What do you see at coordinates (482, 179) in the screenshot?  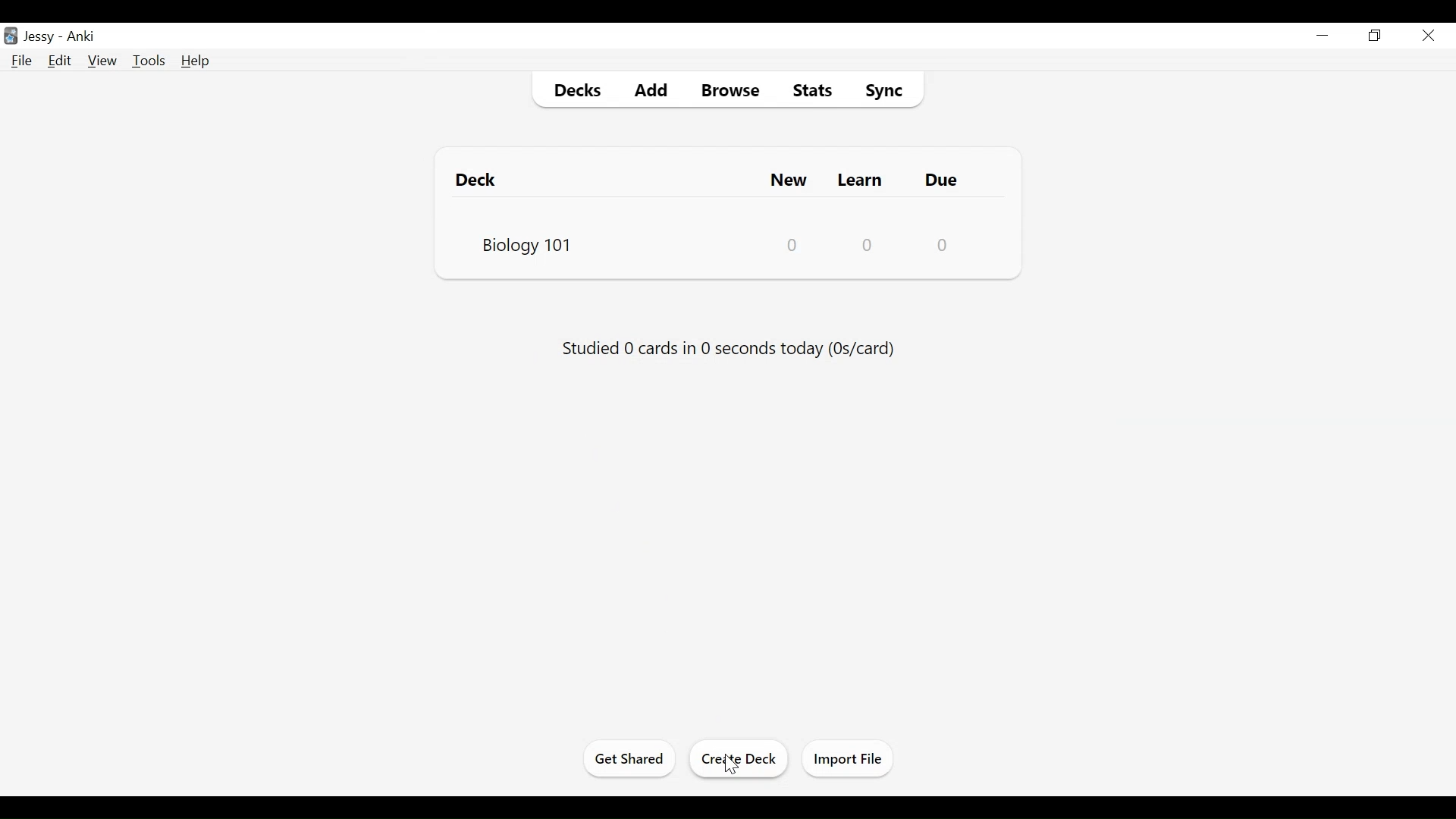 I see `Deck` at bounding box center [482, 179].